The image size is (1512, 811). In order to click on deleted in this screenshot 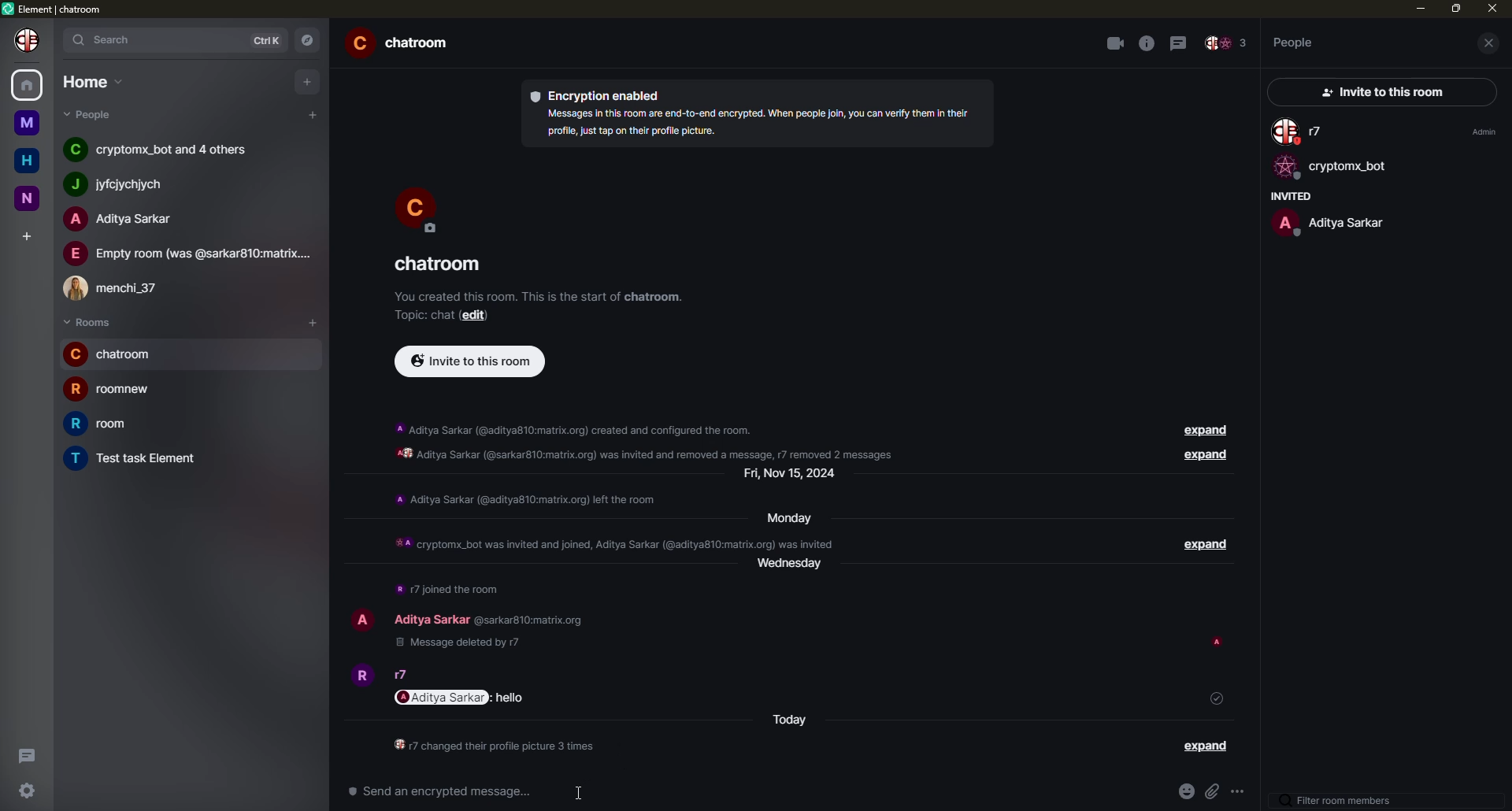, I will do `click(455, 643)`.